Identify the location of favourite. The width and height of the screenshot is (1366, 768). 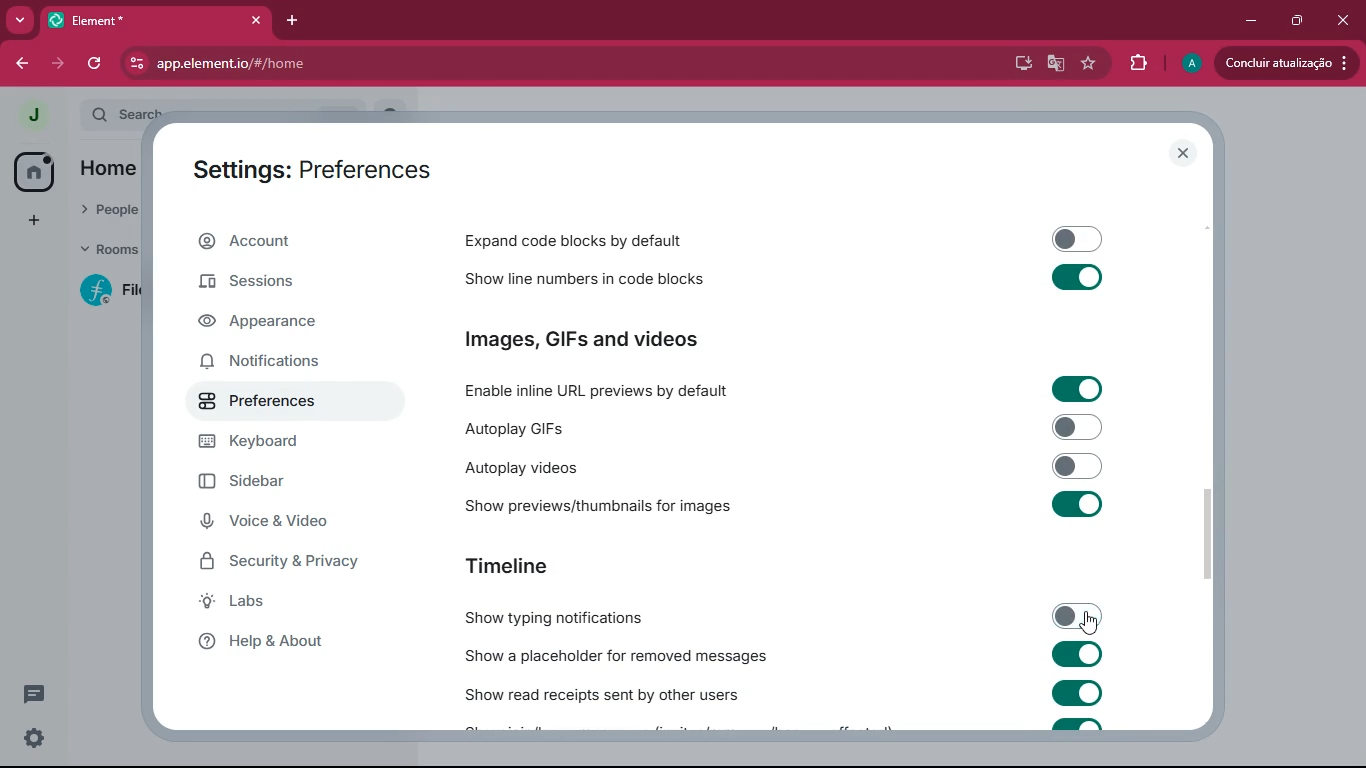
(1089, 63).